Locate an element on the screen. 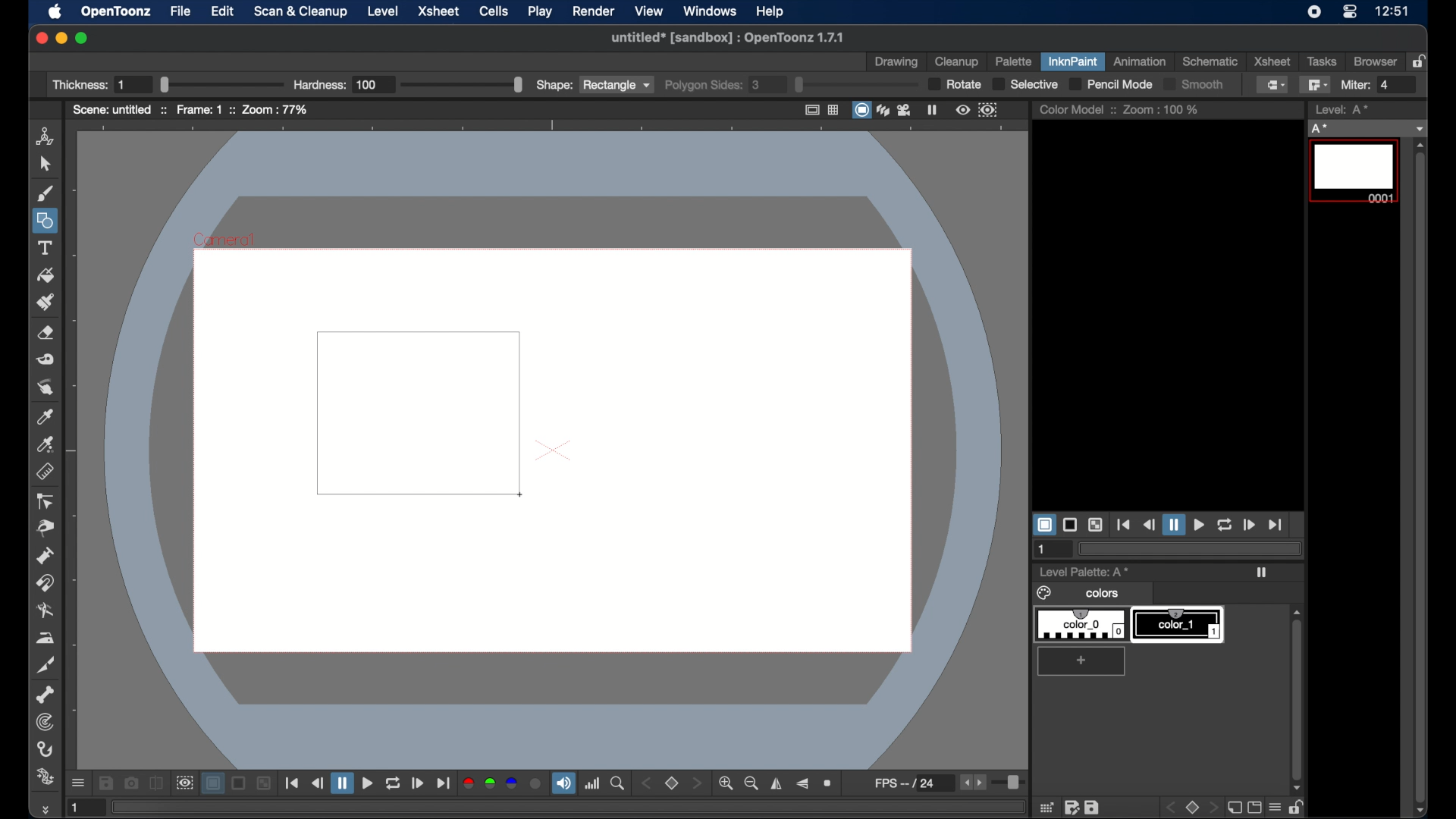  colors is located at coordinates (1080, 594).